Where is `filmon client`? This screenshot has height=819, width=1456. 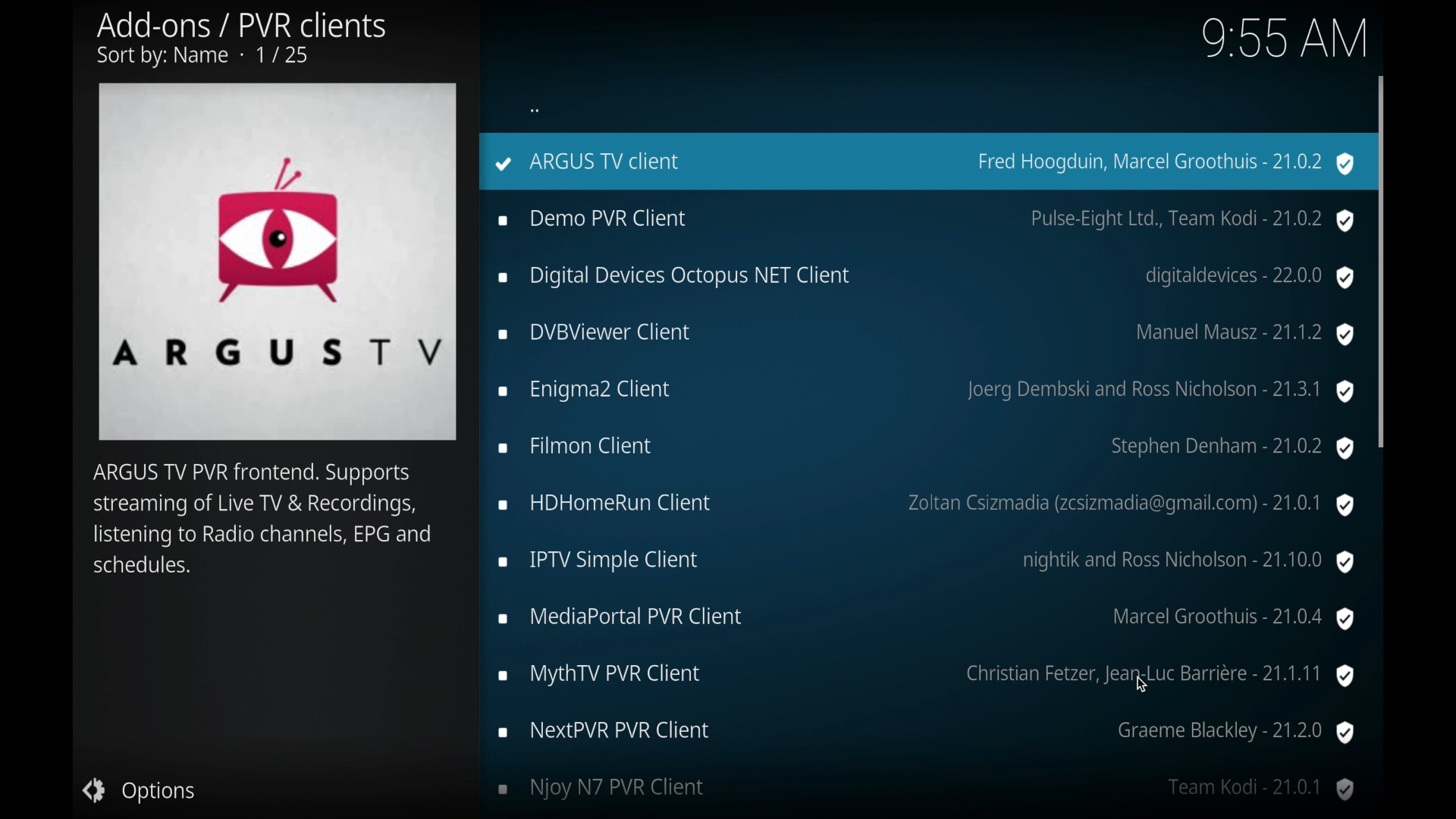 filmon client is located at coordinates (925, 450).